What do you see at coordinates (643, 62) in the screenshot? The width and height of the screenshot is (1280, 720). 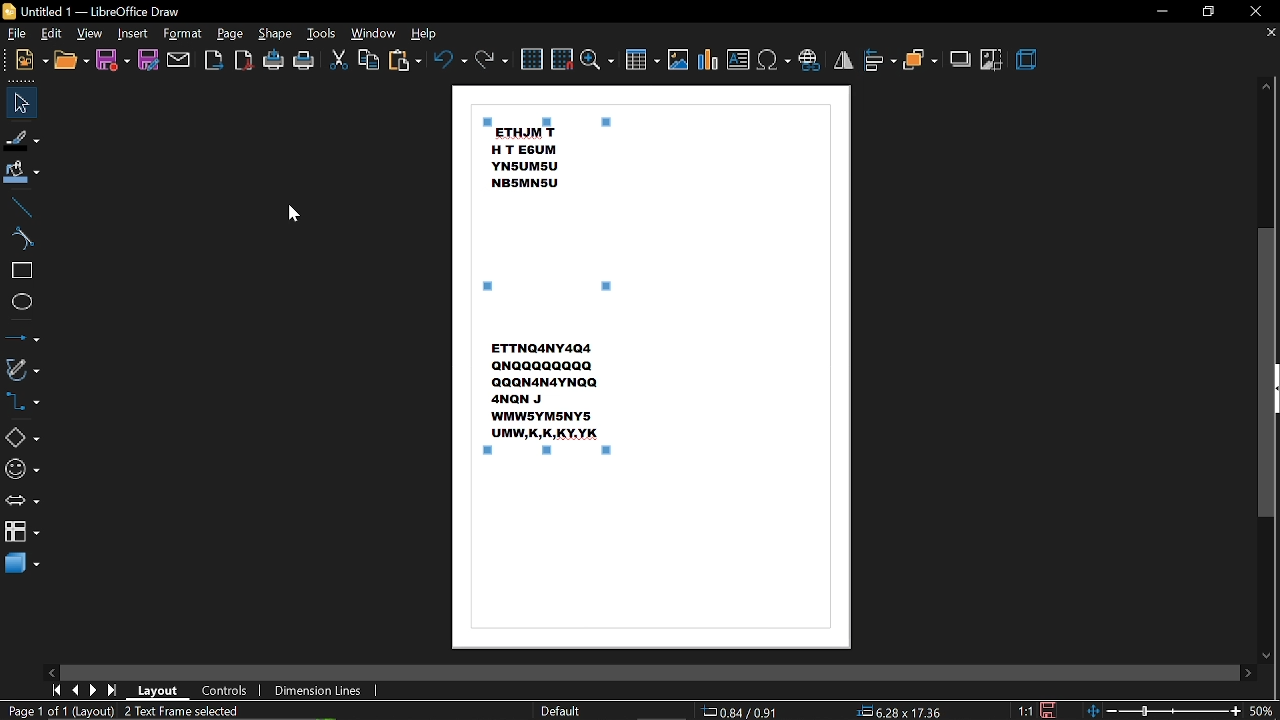 I see `insert table` at bounding box center [643, 62].